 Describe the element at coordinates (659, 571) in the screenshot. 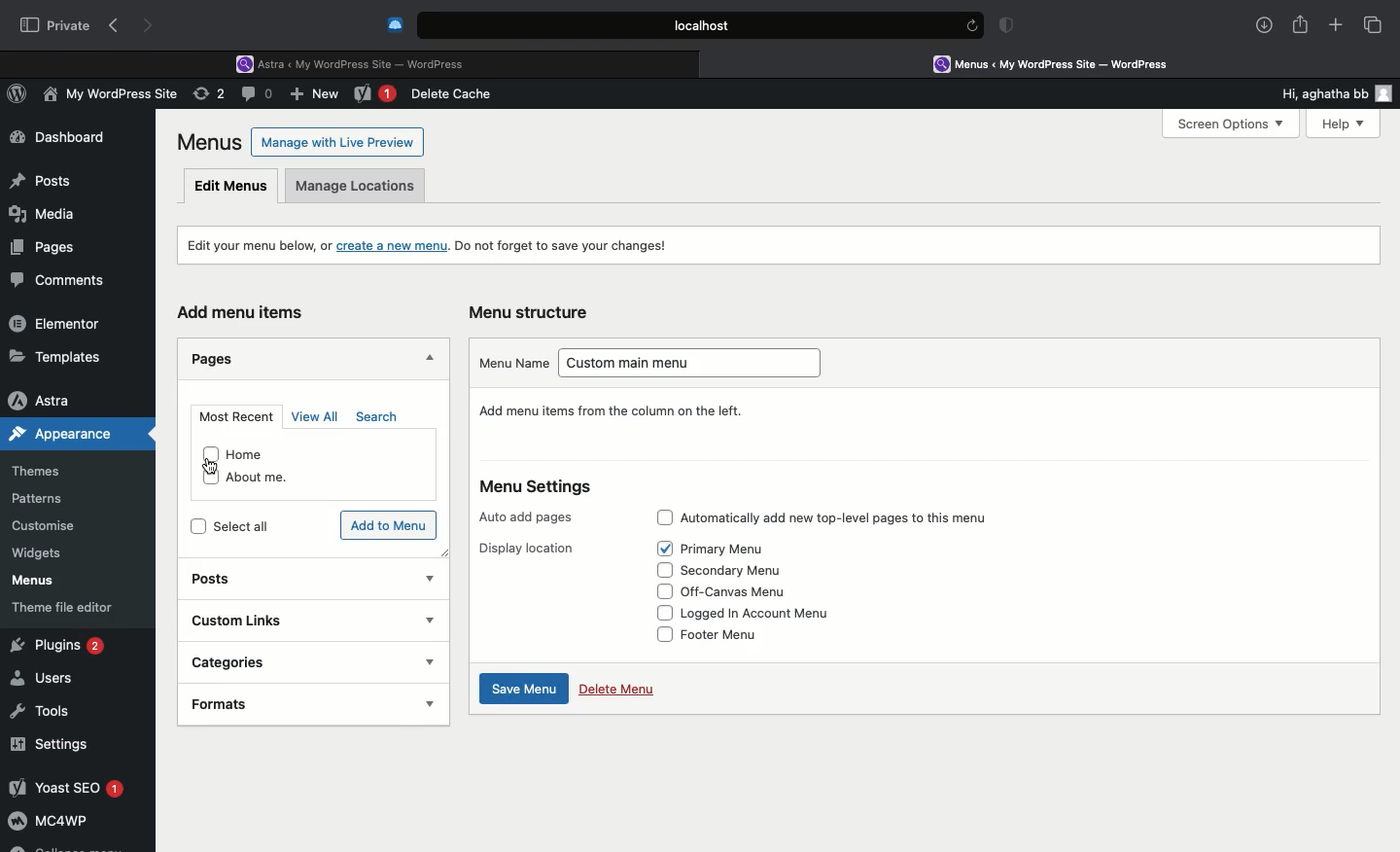

I see `Check box` at that location.